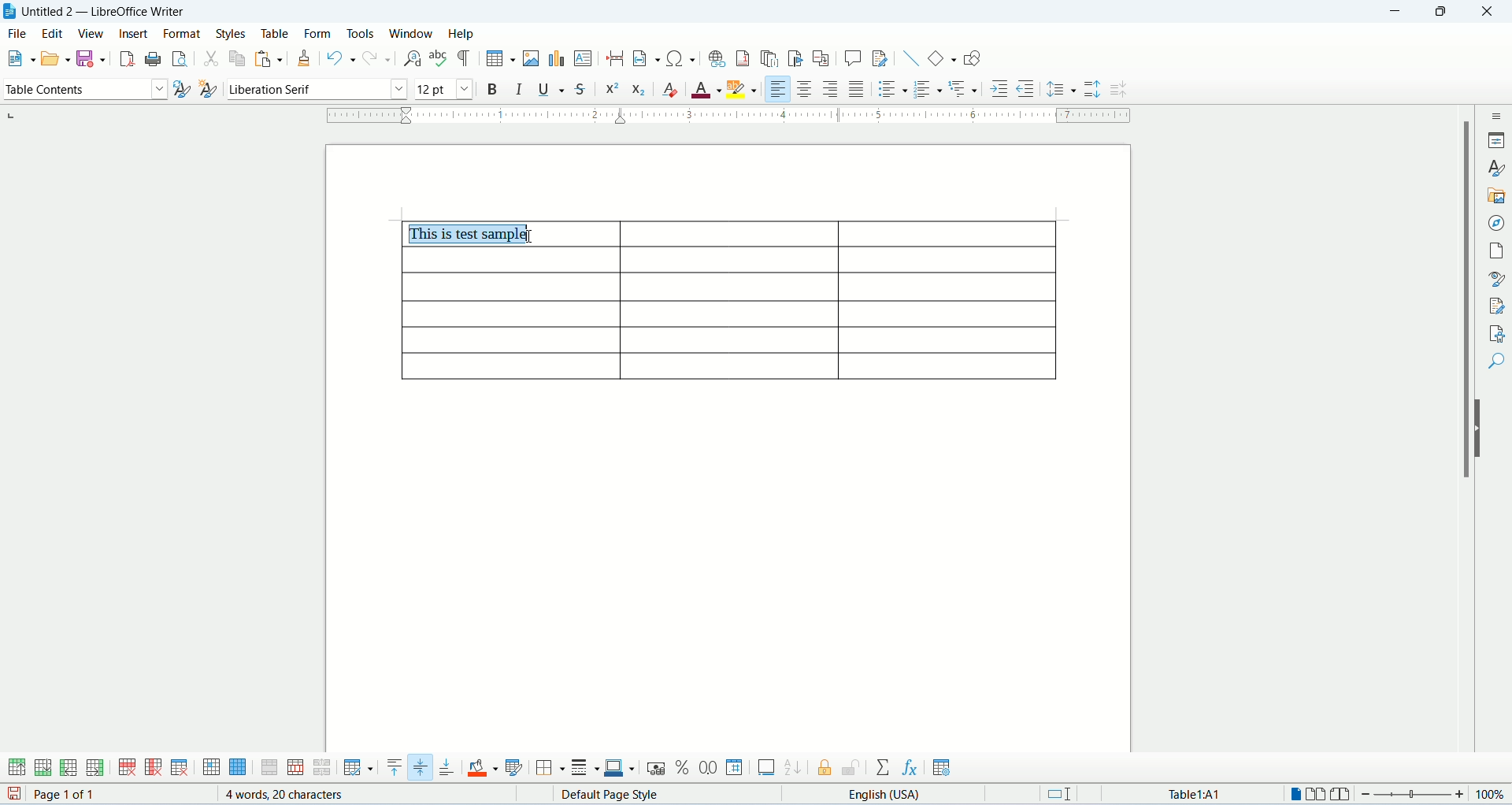 This screenshot has width=1512, height=805. What do you see at coordinates (636, 91) in the screenshot?
I see `subscript` at bounding box center [636, 91].